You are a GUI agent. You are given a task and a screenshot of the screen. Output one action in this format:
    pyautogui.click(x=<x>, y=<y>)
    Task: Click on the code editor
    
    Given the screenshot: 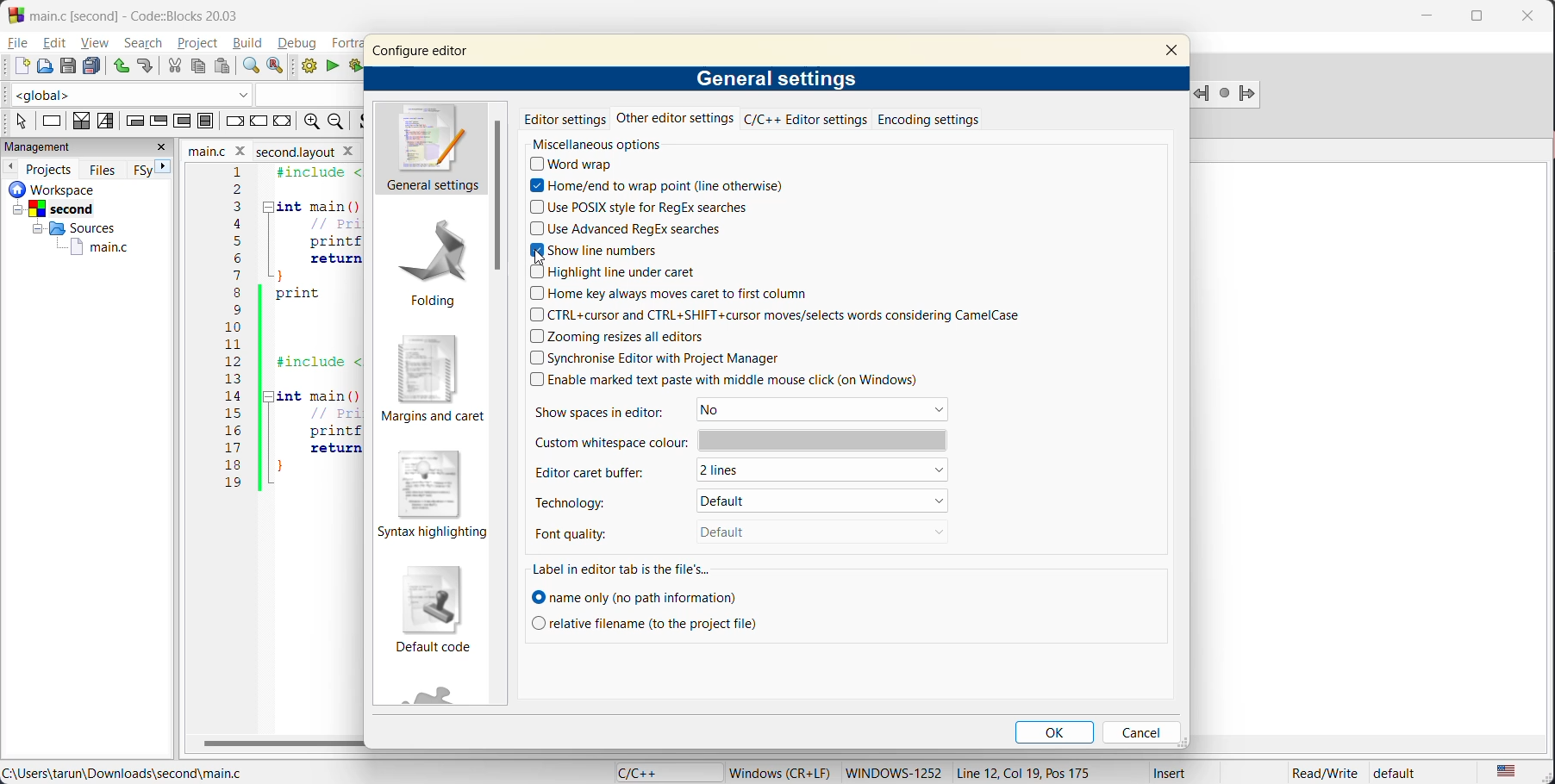 What is the action you would take?
    pyautogui.click(x=269, y=340)
    